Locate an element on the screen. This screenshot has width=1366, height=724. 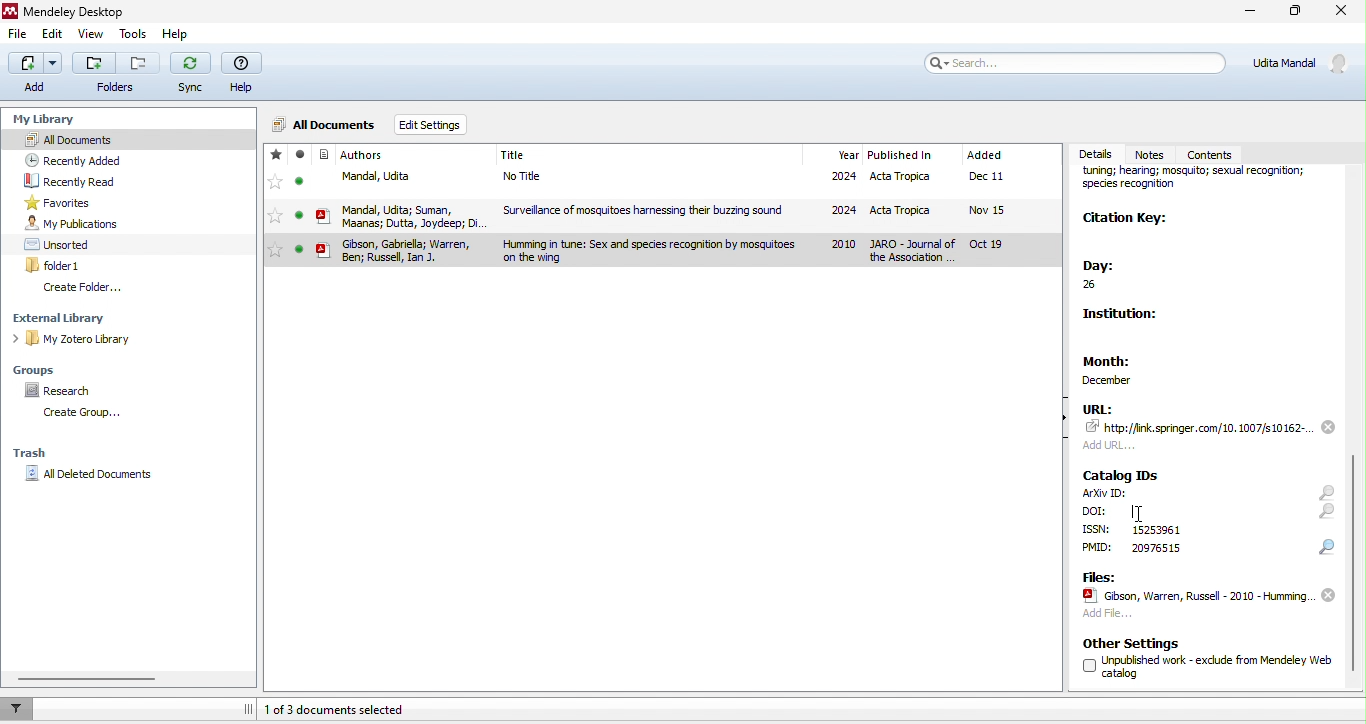
unsorted is located at coordinates (60, 244).